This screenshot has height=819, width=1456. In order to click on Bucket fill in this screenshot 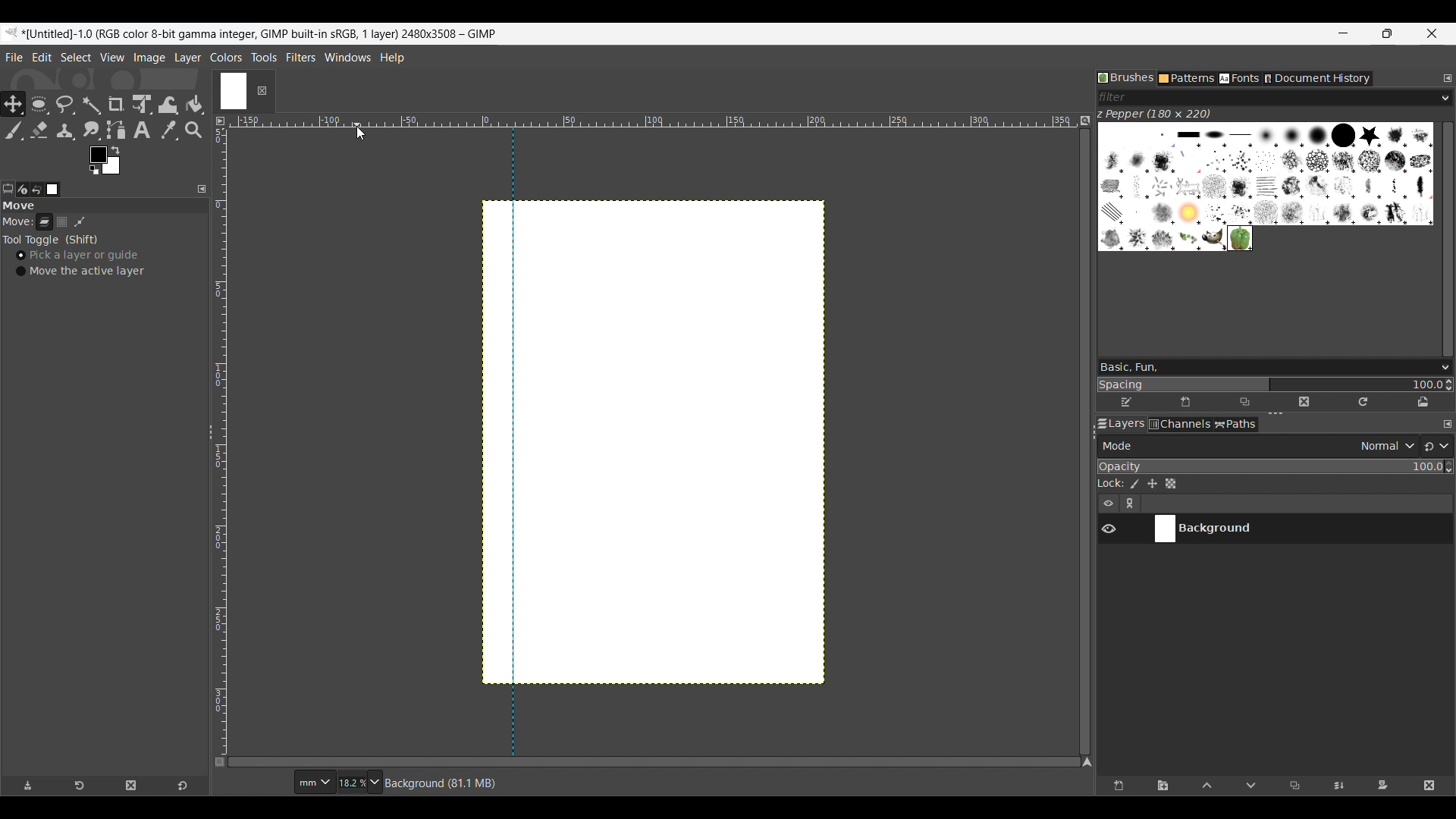, I will do `click(195, 105)`.